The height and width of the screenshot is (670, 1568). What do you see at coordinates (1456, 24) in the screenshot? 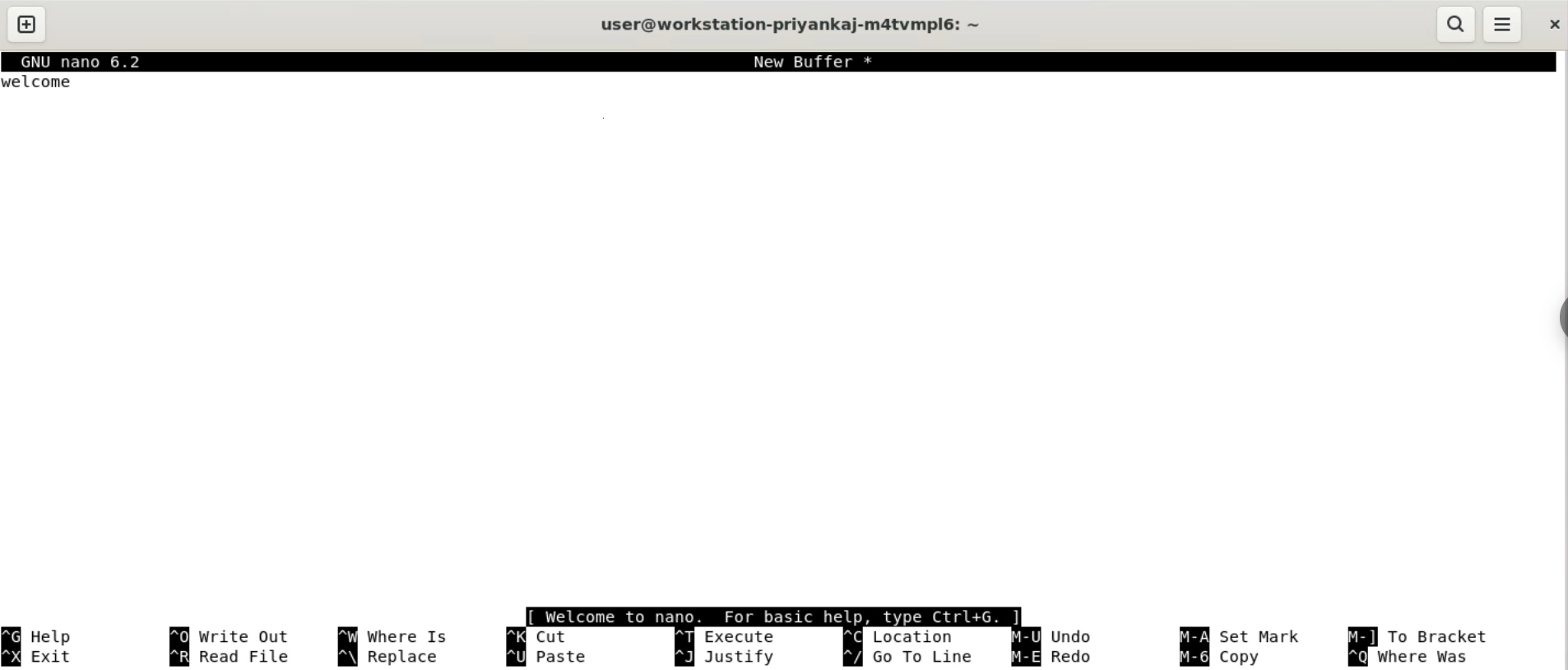
I see `search` at bounding box center [1456, 24].